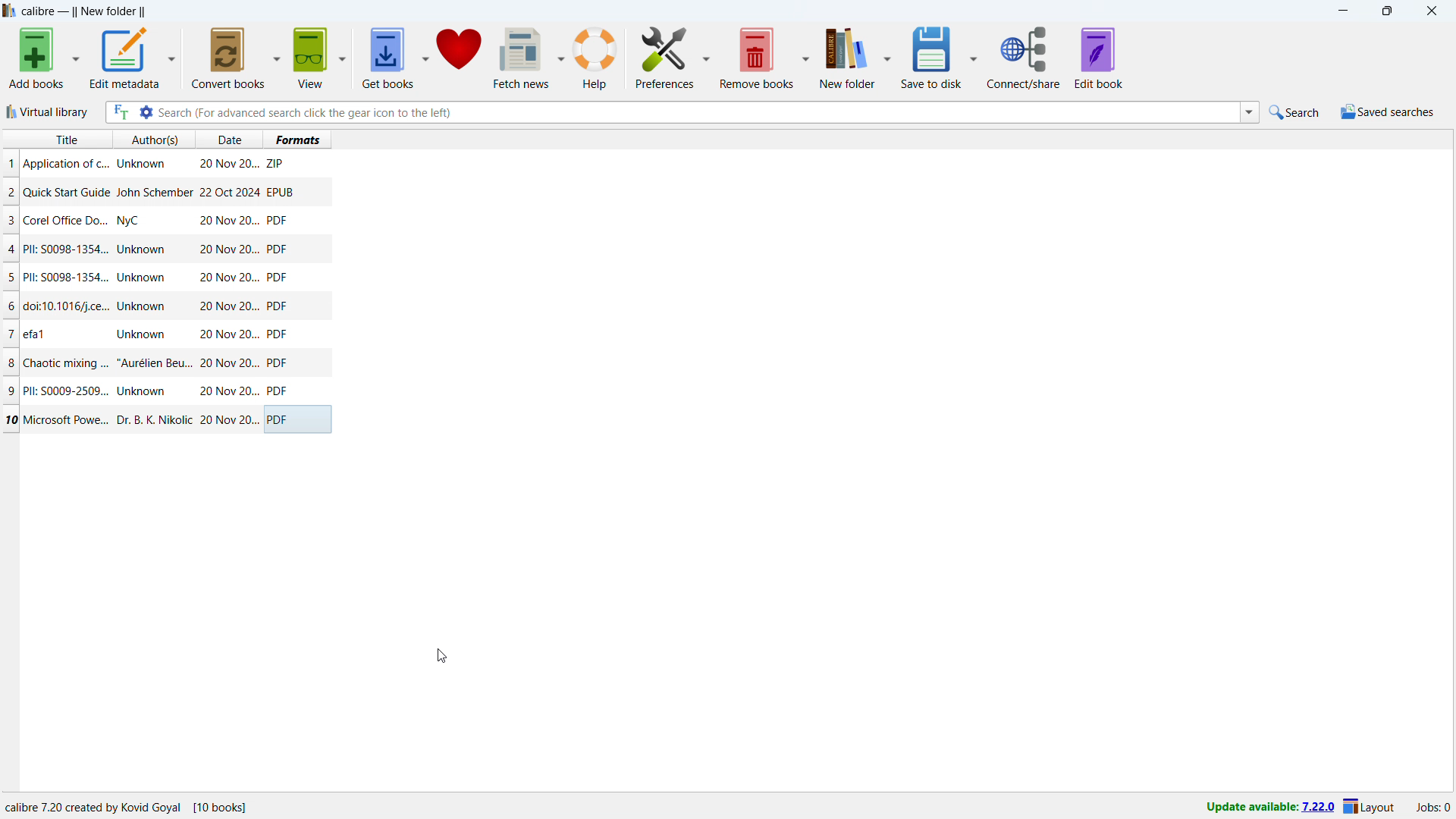 This screenshot has width=1456, height=819. Describe the element at coordinates (310, 58) in the screenshot. I see `view` at that location.